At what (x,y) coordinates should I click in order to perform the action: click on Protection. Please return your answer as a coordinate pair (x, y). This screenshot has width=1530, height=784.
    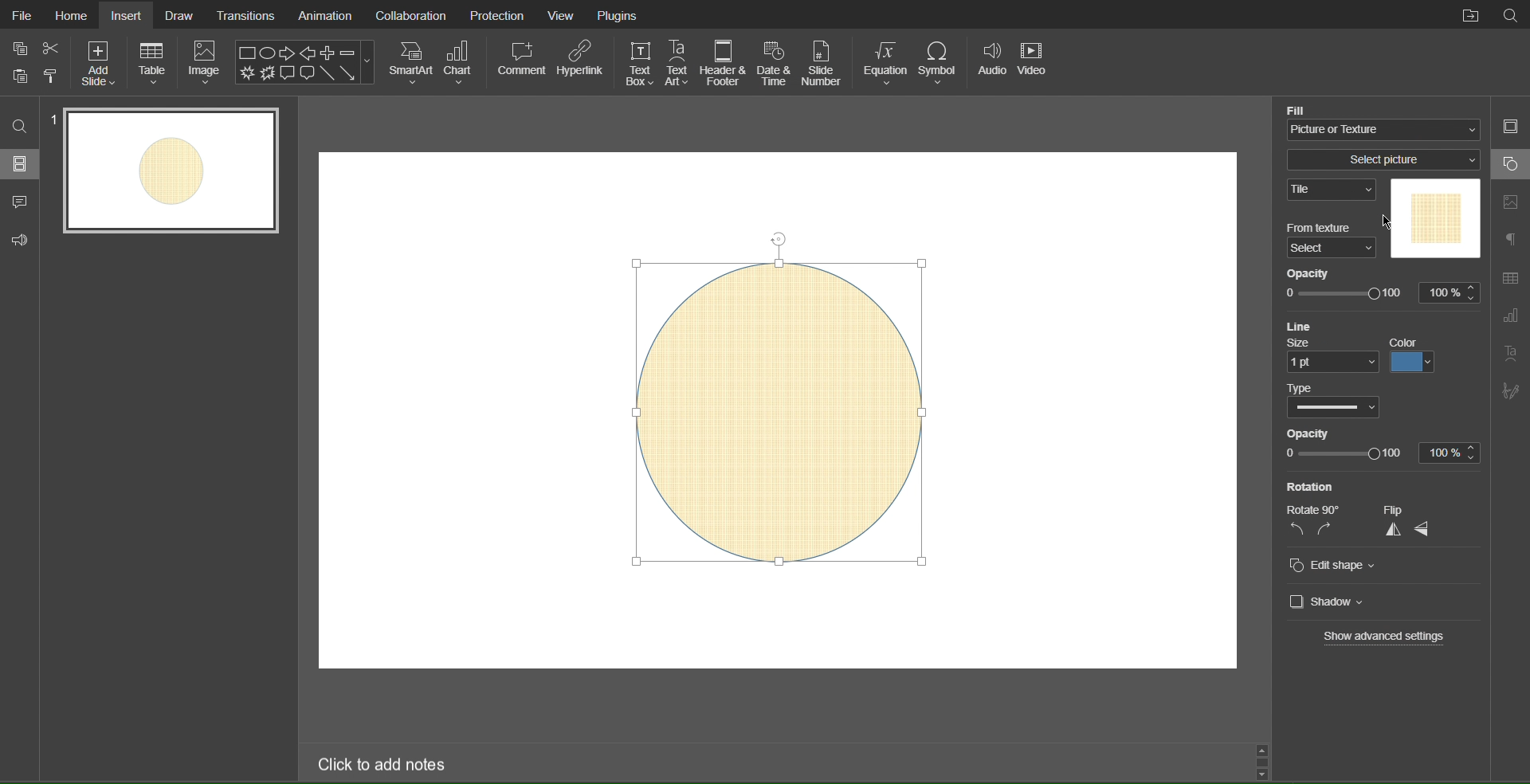
    Looking at the image, I should click on (498, 14).